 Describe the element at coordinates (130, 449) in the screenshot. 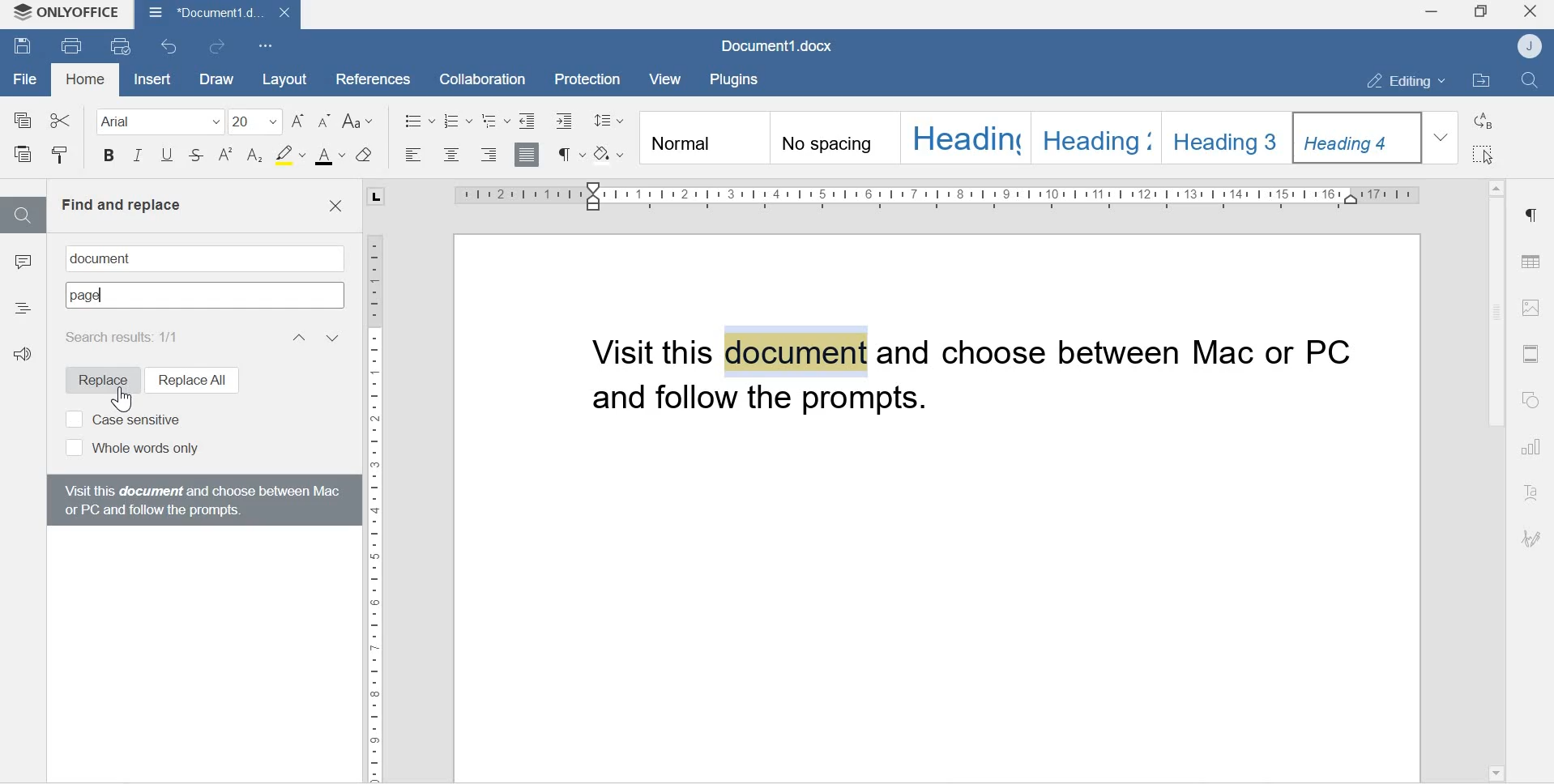

I see `Whole words only` at that location.